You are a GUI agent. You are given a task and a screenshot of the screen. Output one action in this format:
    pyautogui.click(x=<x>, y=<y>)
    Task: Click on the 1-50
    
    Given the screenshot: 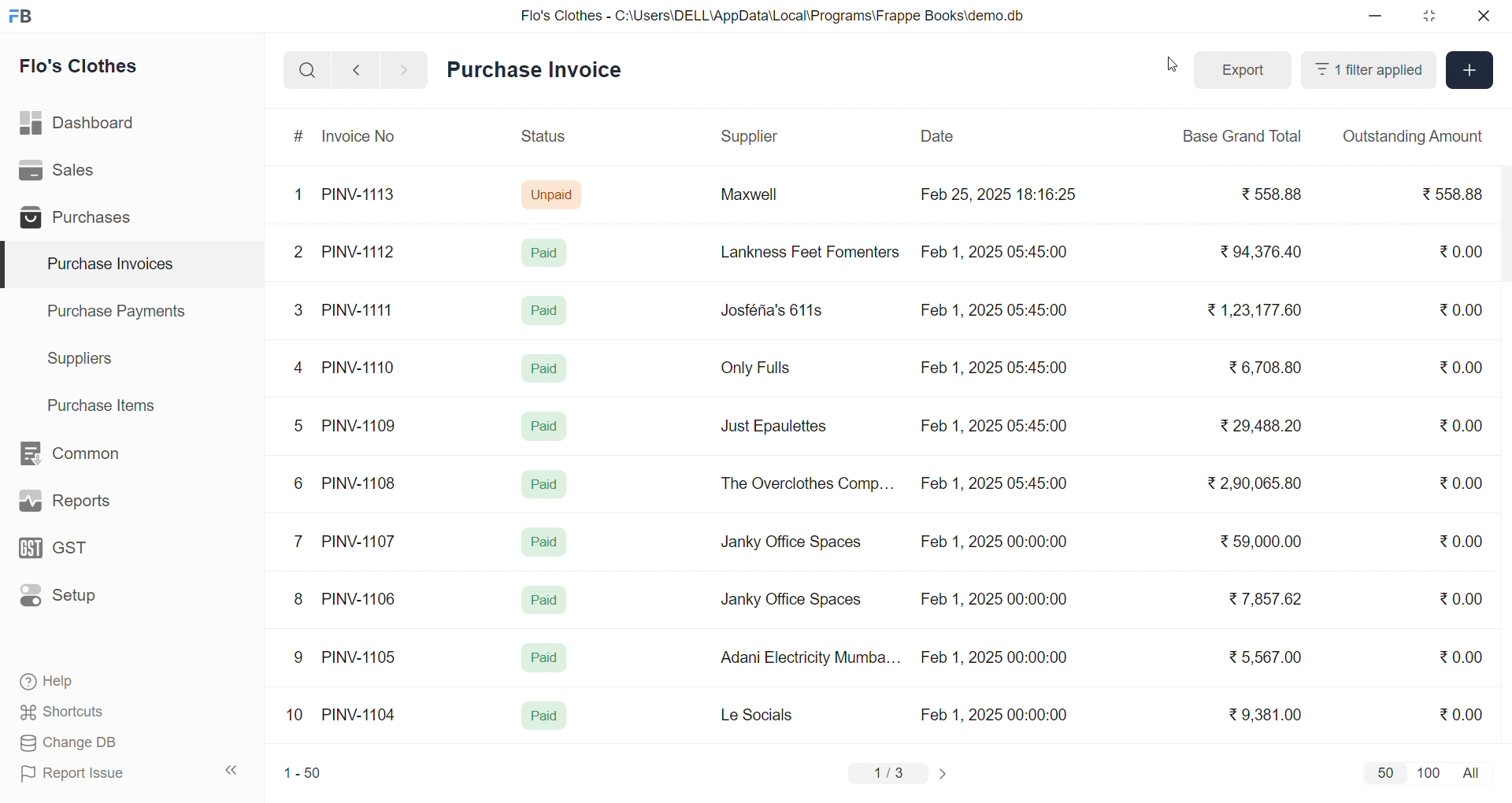 What is the action you would take?
    pyautogui.click(x=302, y=775)
    